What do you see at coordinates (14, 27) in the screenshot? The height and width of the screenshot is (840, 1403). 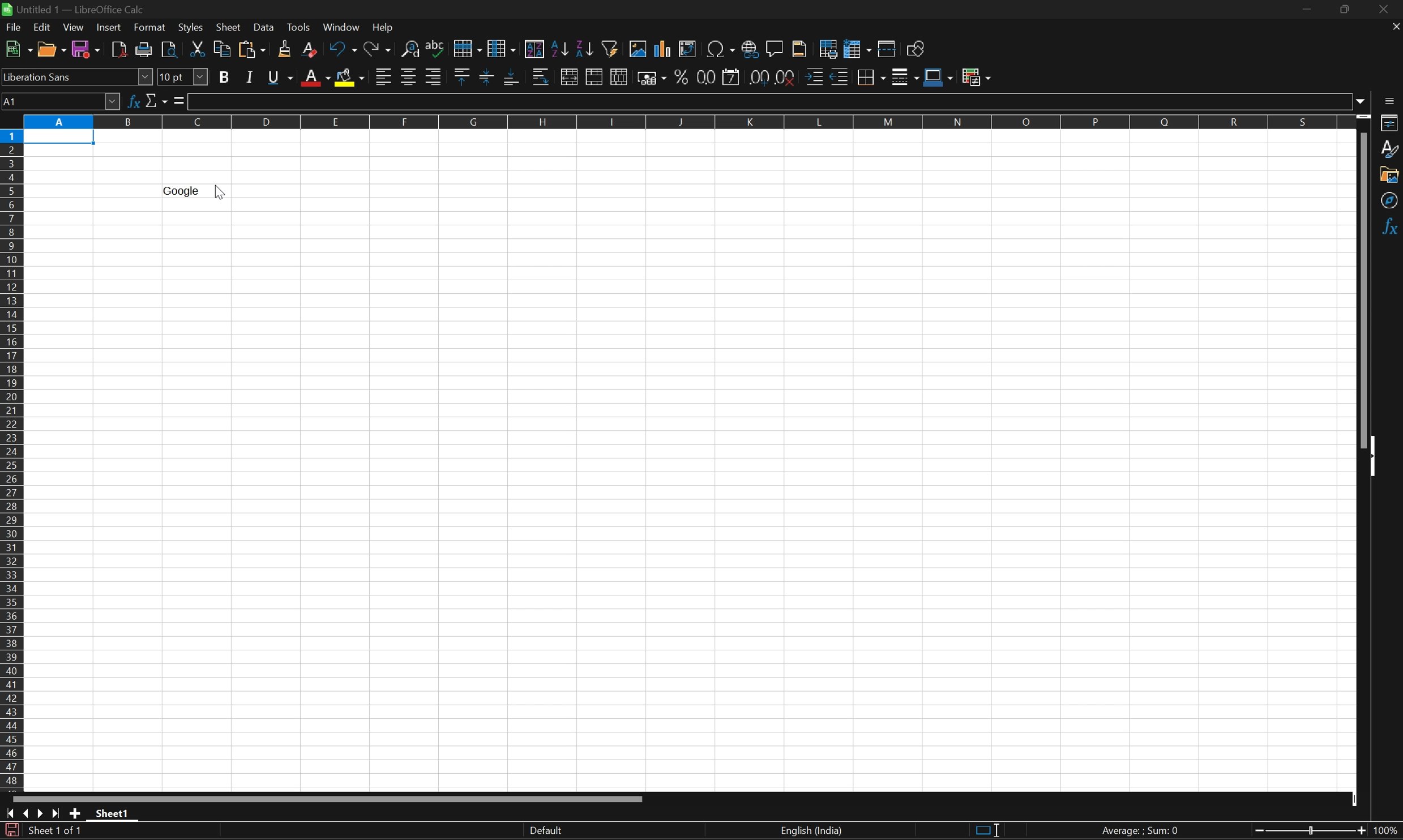 I see `File` at bounding box center [14, 27].